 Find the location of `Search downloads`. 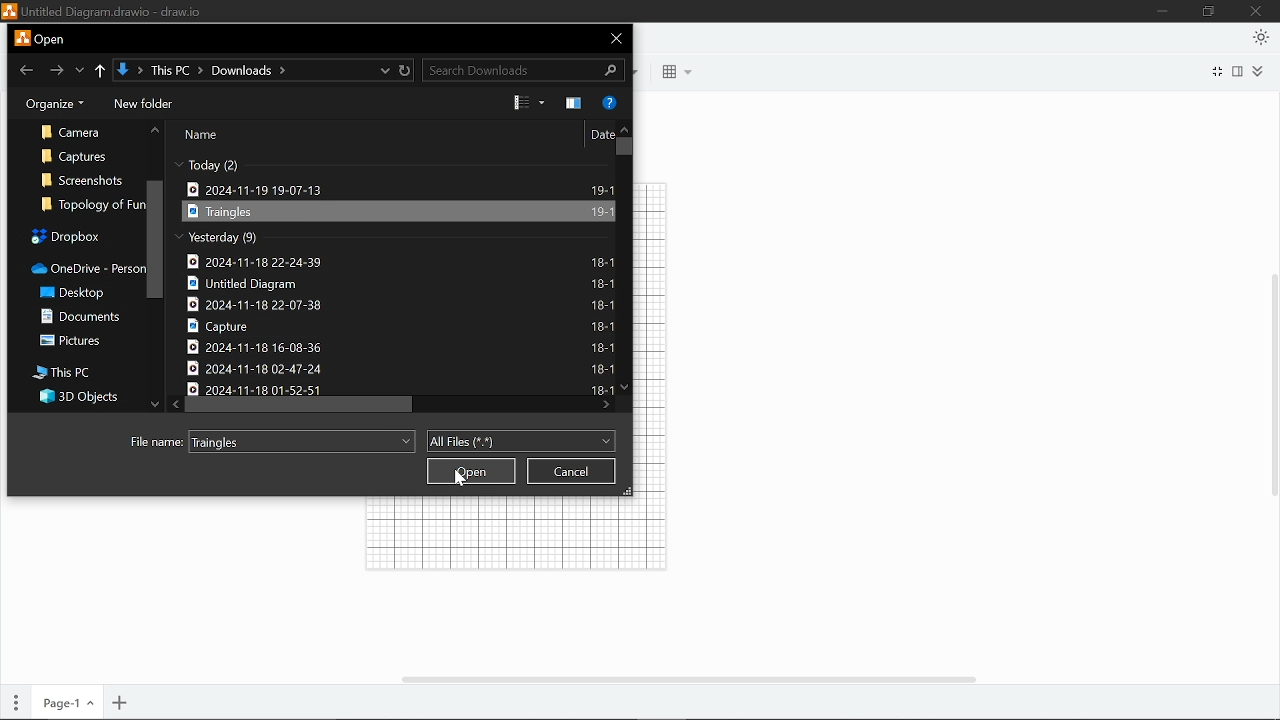

Search downloads is located at coordinates (525, 71).